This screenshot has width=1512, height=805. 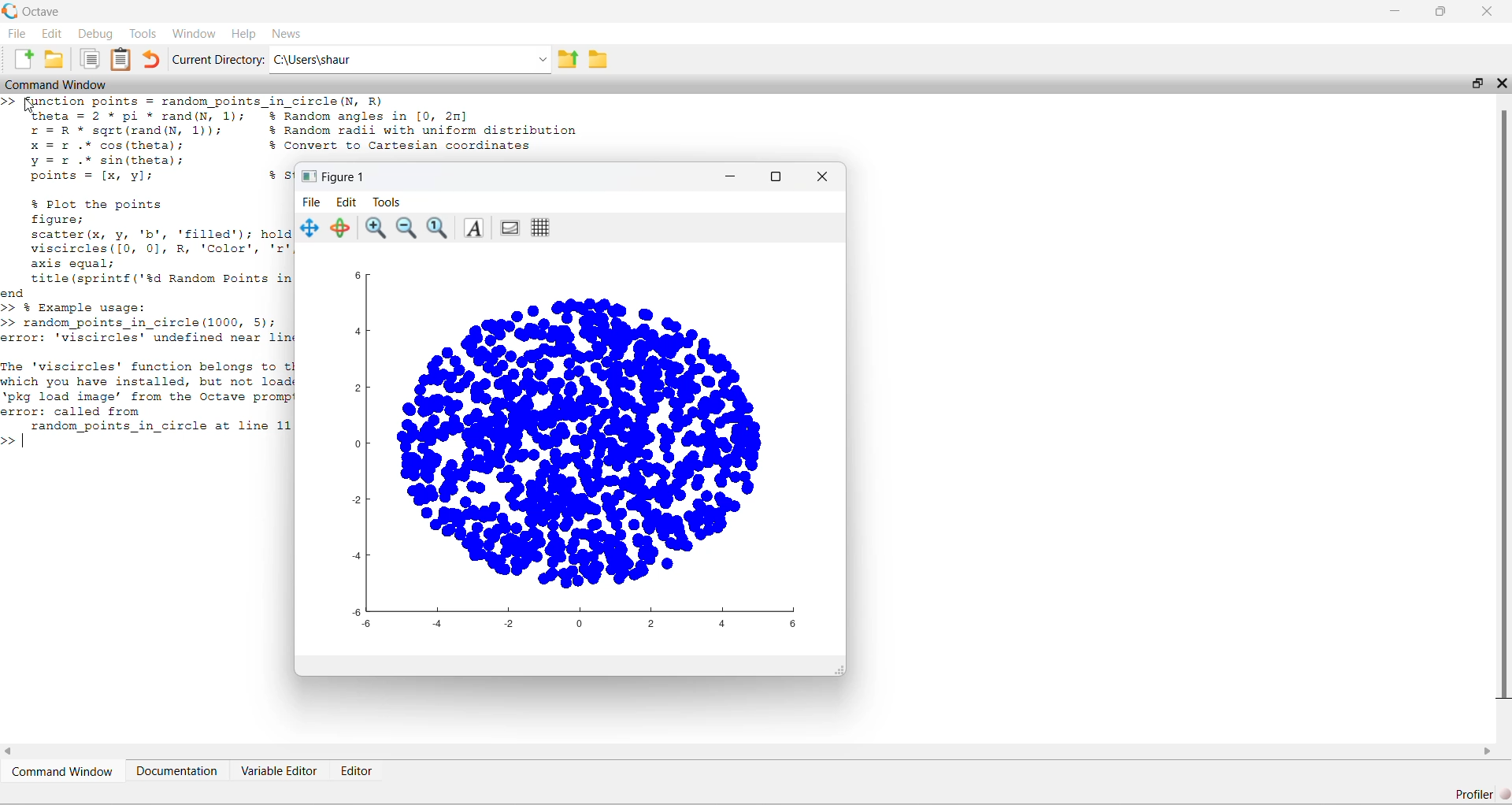 I want to click on Open an existing file in editor, so click(x=54, y=59).